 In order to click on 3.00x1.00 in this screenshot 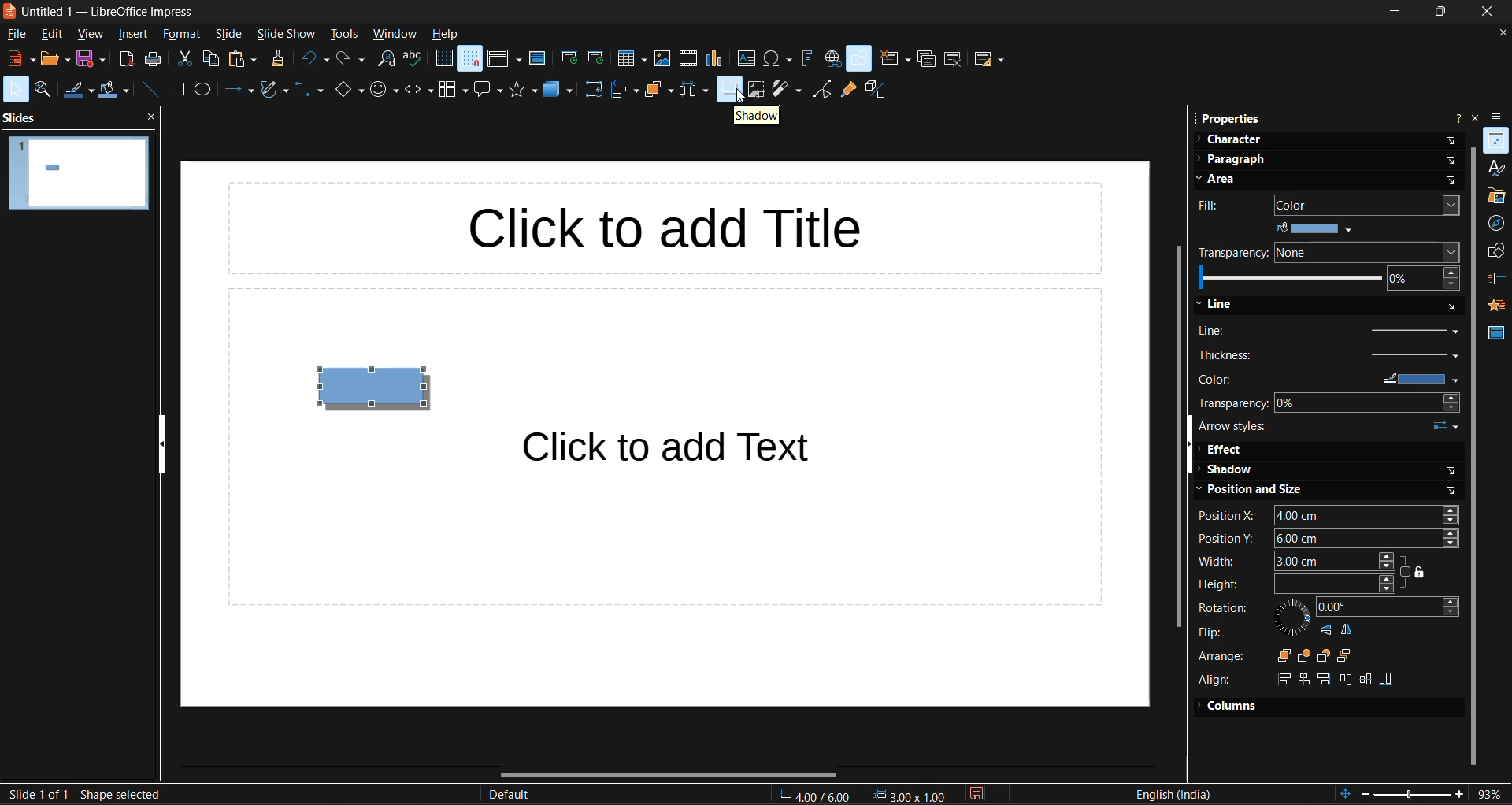, I will do `click(912, 794)`.